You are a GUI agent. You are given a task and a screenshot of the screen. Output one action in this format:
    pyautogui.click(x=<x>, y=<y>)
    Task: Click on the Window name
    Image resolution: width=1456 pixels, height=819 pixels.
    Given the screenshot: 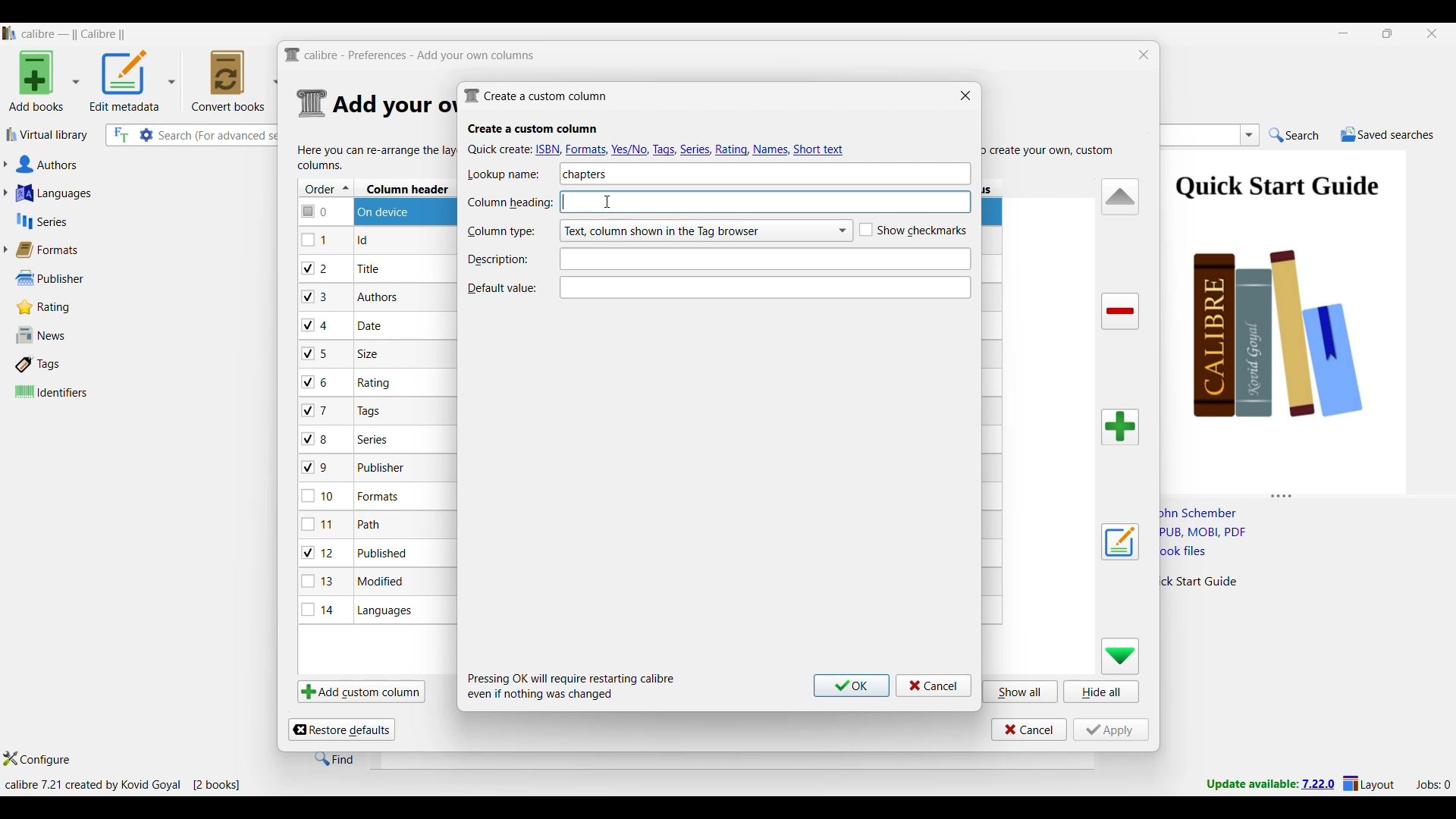 What is the action you would take?
    pyautogui.click(x=535, y=96)
    